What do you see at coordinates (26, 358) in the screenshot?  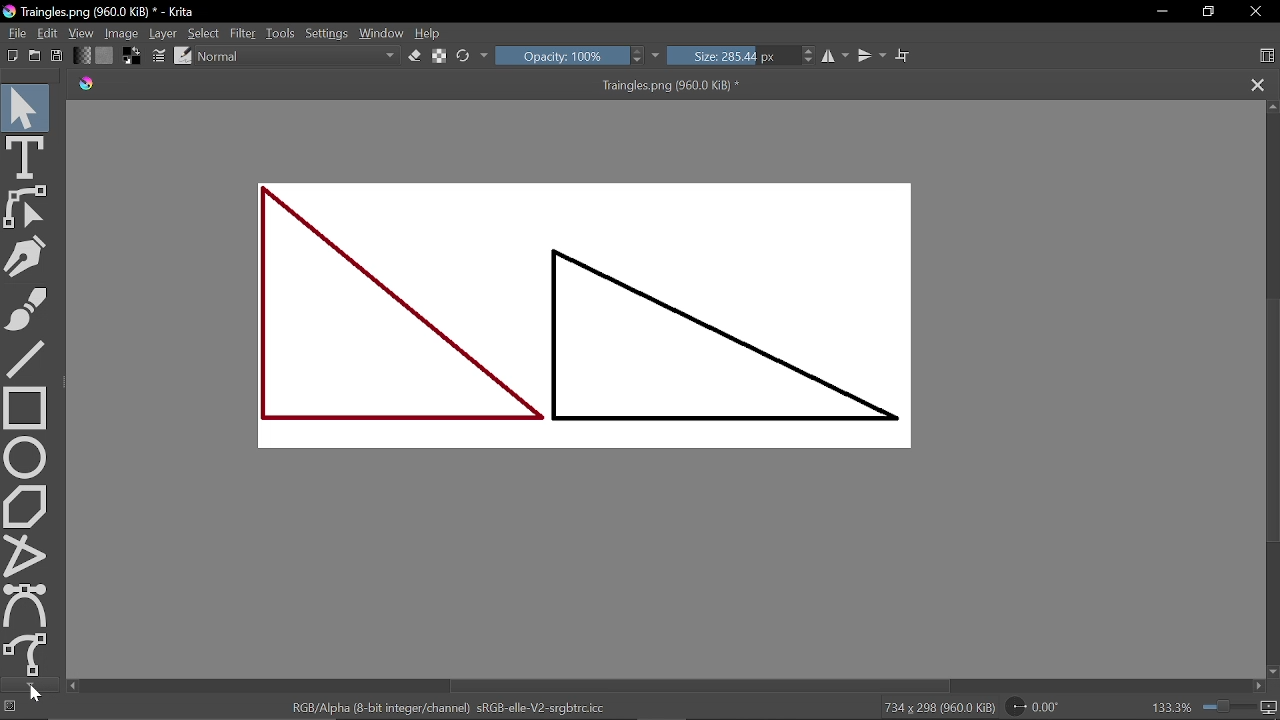 I see `Line tool` at bounding box center [26, 358].